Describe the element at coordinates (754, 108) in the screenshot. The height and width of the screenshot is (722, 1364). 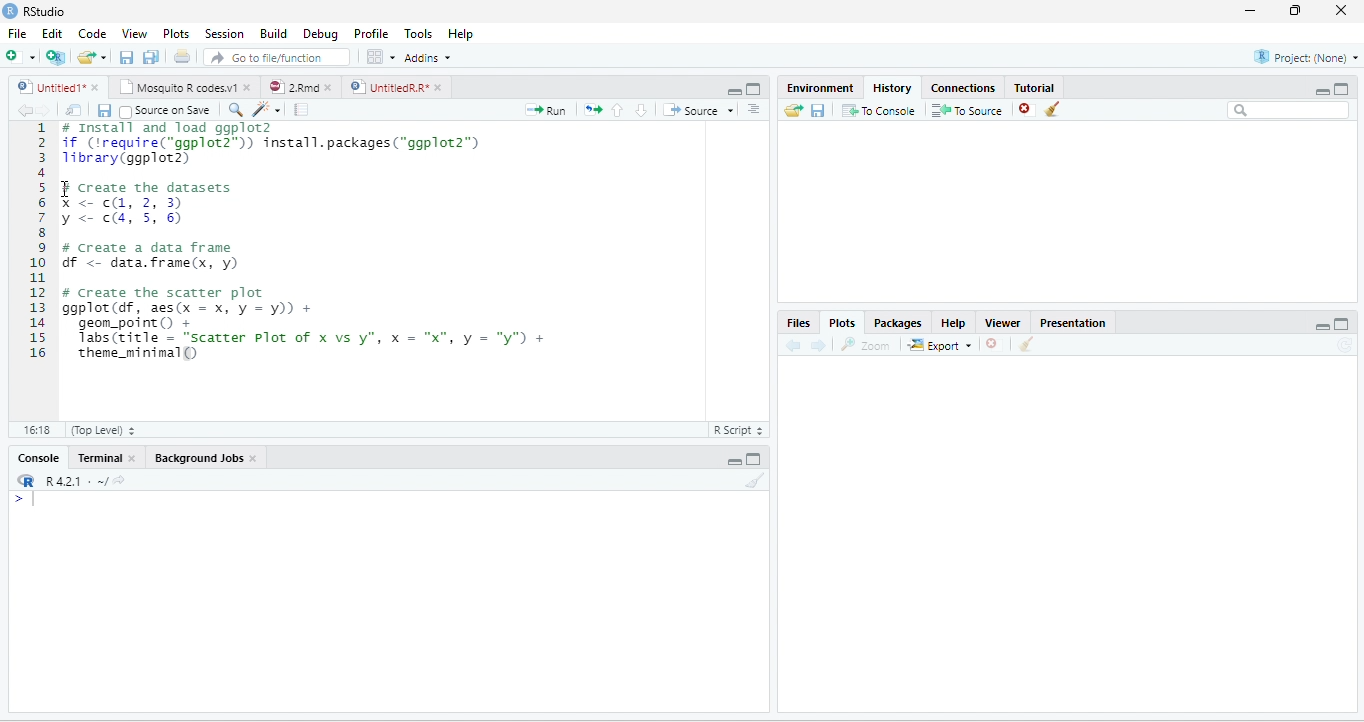
I see `Show document outline` at that location.